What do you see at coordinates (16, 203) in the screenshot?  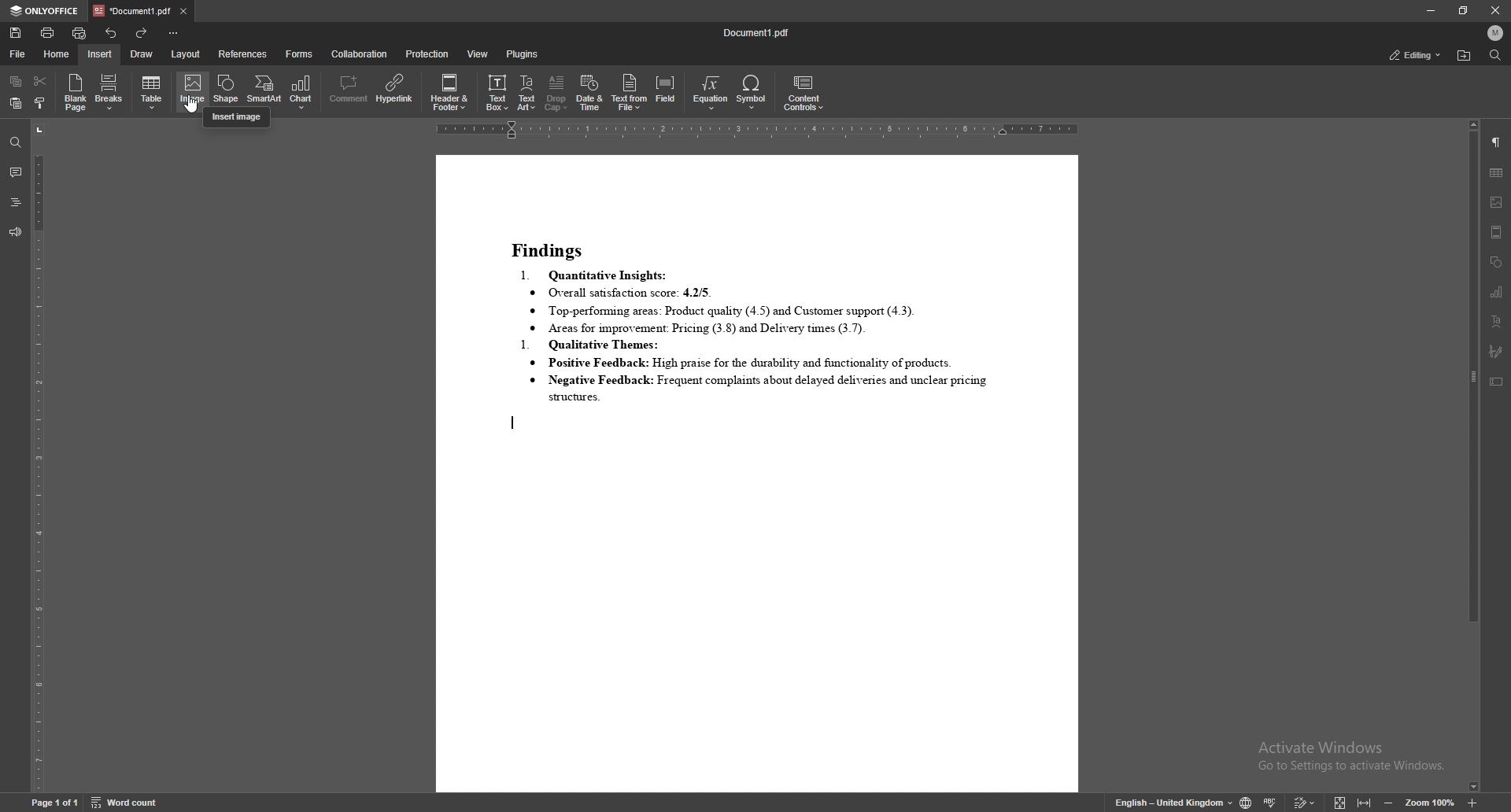 I see `headings` at bounding box center [16, 203].